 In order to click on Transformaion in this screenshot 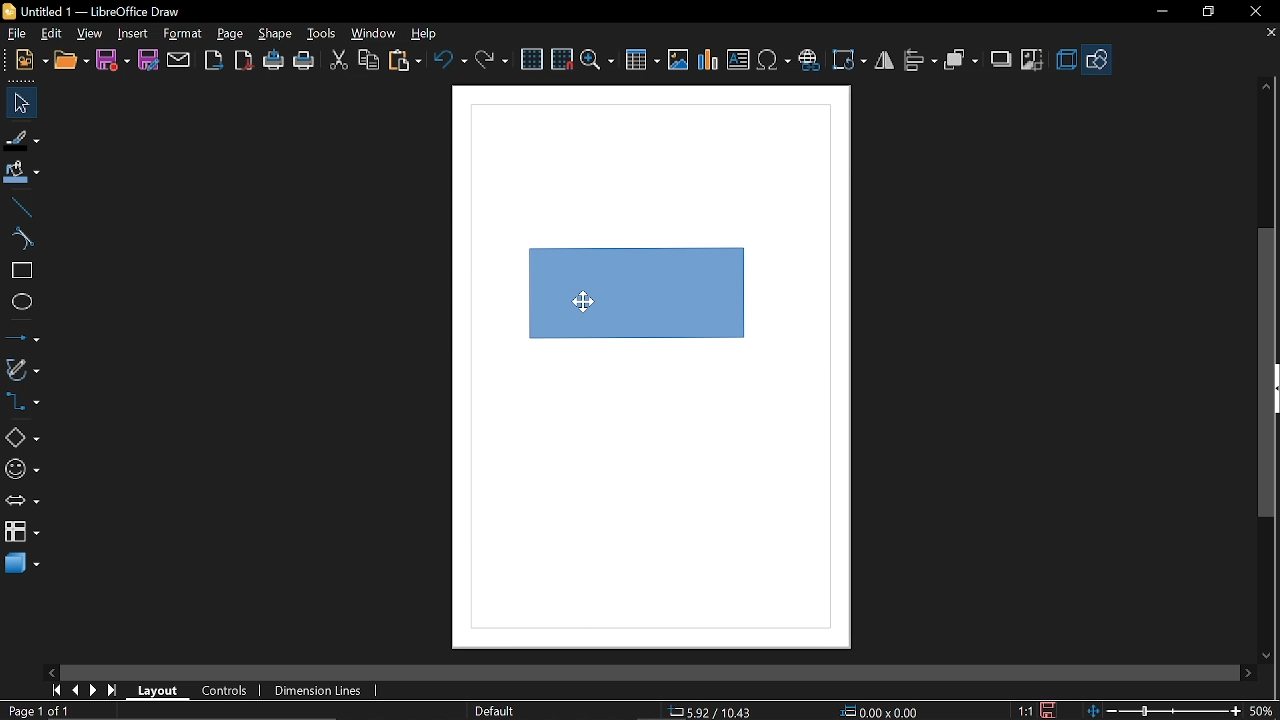, I will do `click(849, 61)`.